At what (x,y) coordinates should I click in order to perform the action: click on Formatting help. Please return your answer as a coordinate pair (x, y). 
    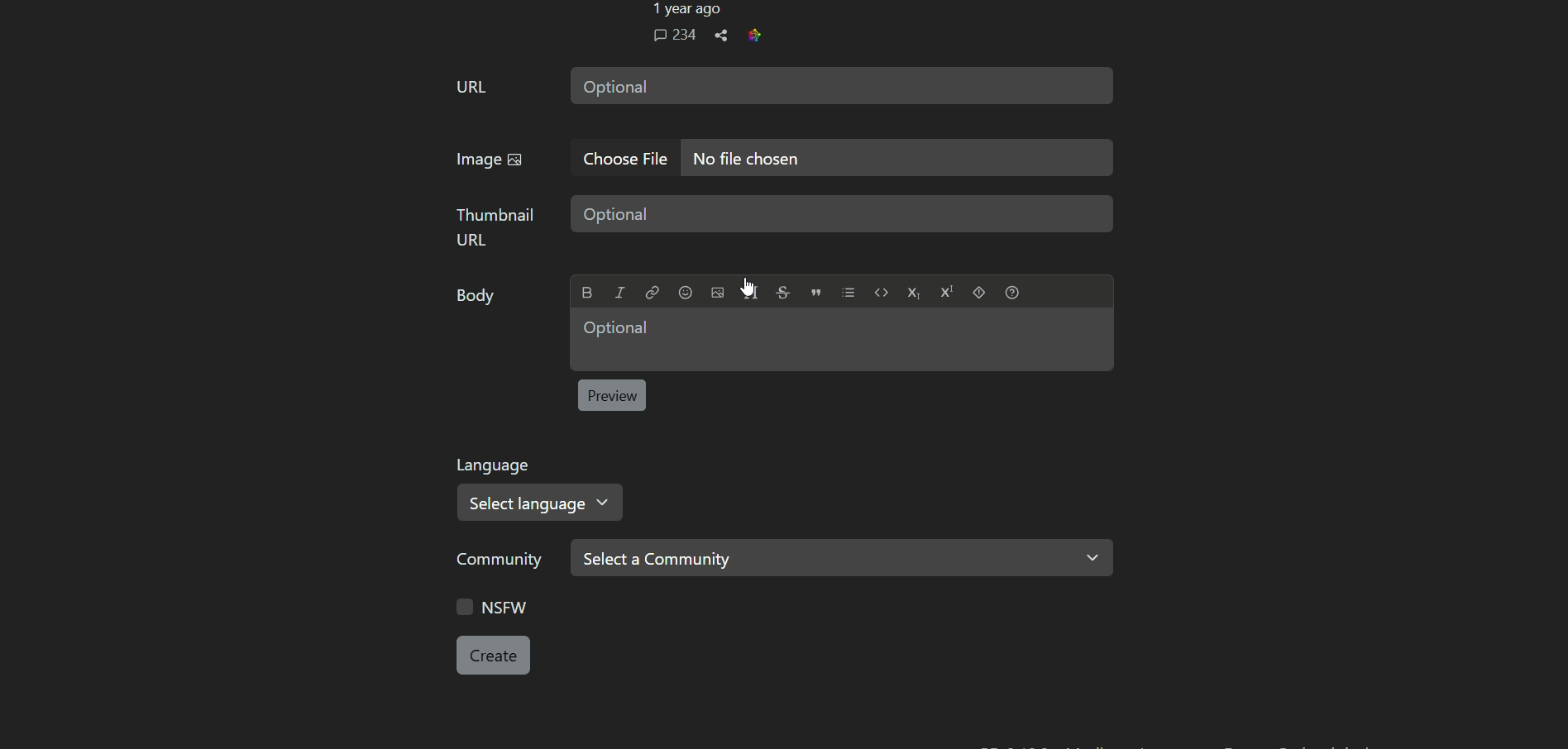
    Looking at the image, I should click on (1012, 292).